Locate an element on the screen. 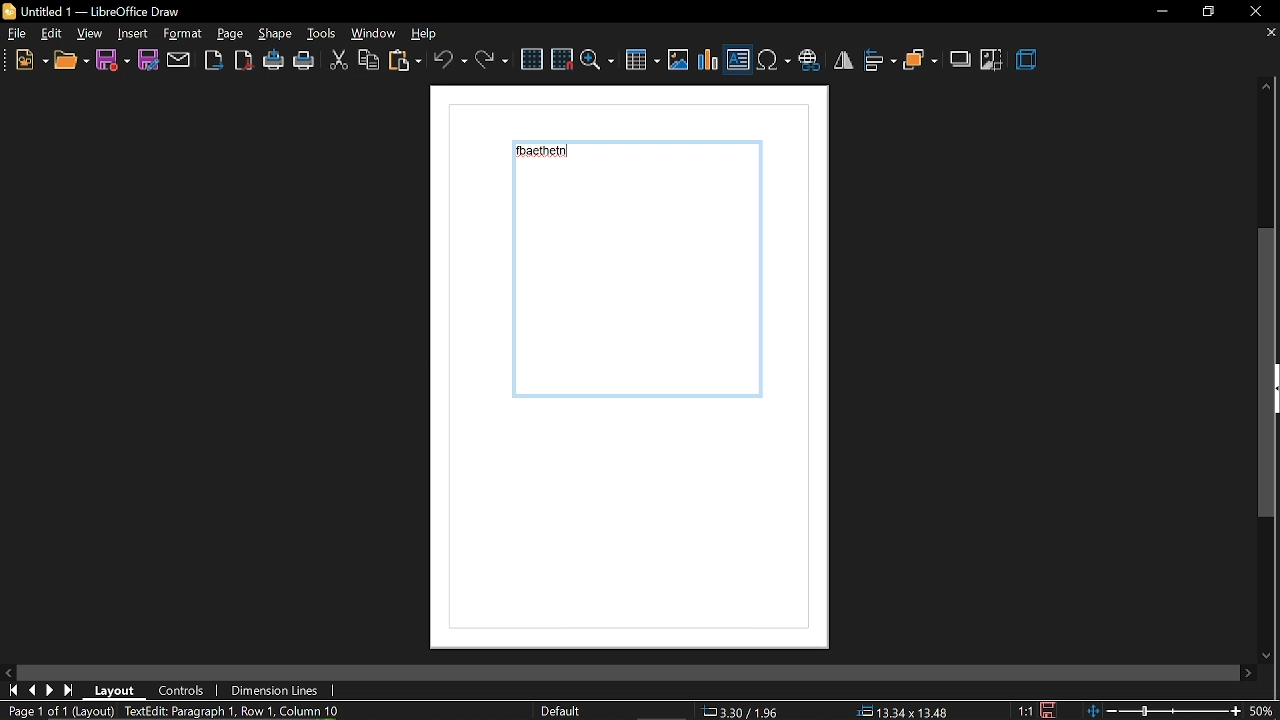 This screenshot has width=1280, height=720. insert image is located at coordinates (679, 59).